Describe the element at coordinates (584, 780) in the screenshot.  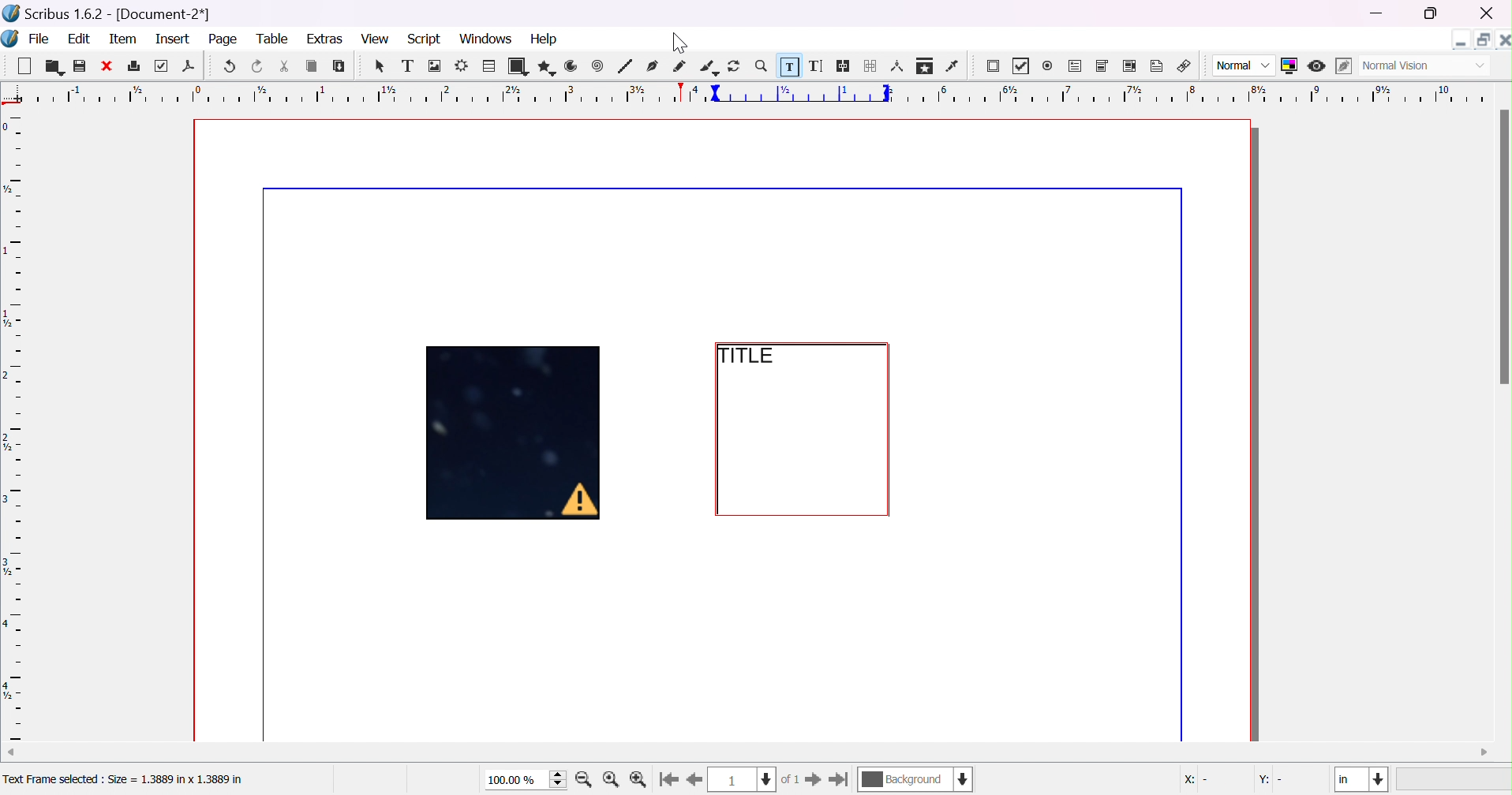
I see `zoom in` at that location.